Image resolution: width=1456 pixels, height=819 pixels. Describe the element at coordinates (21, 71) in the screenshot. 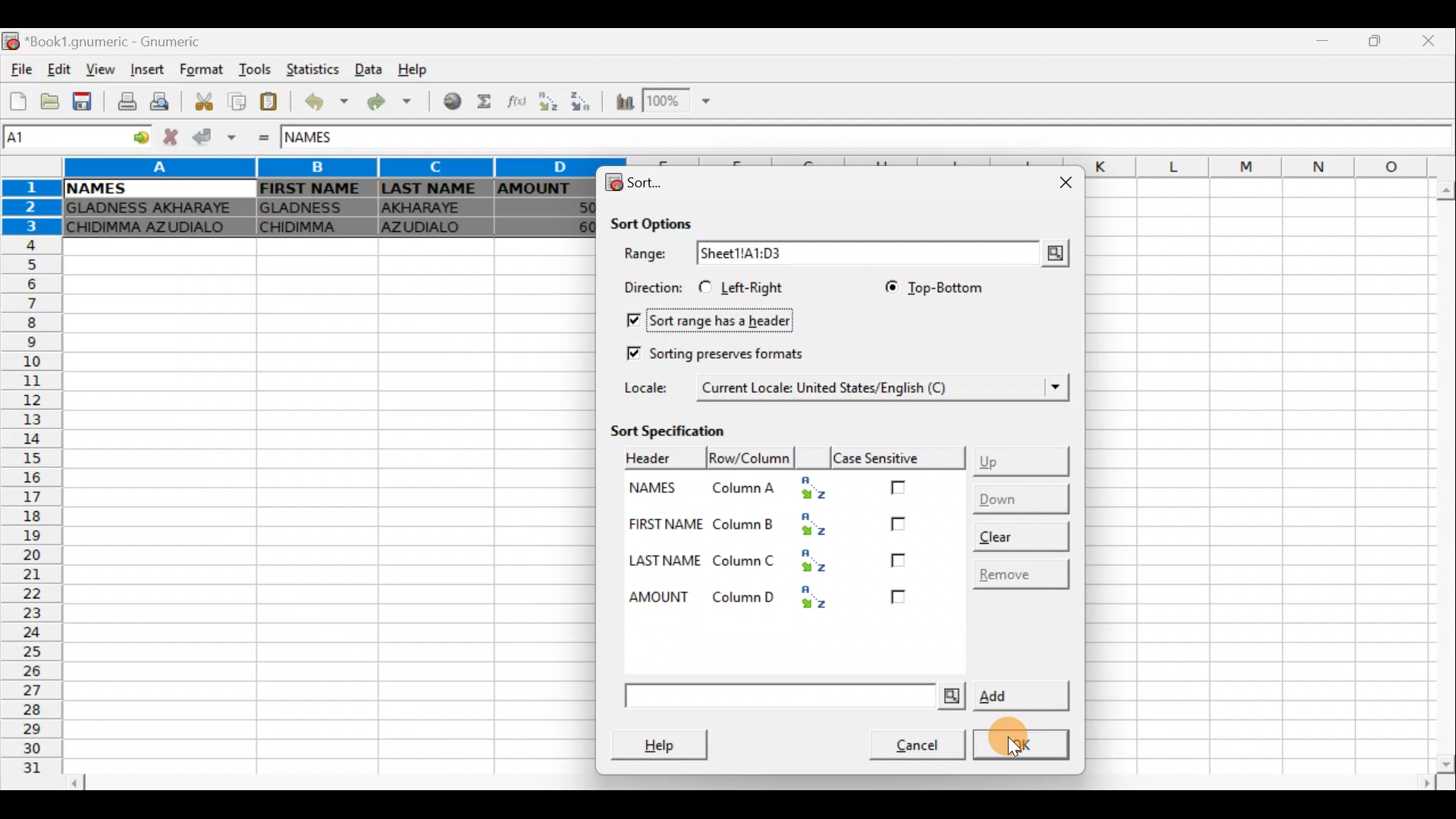

I see `File` at that location.